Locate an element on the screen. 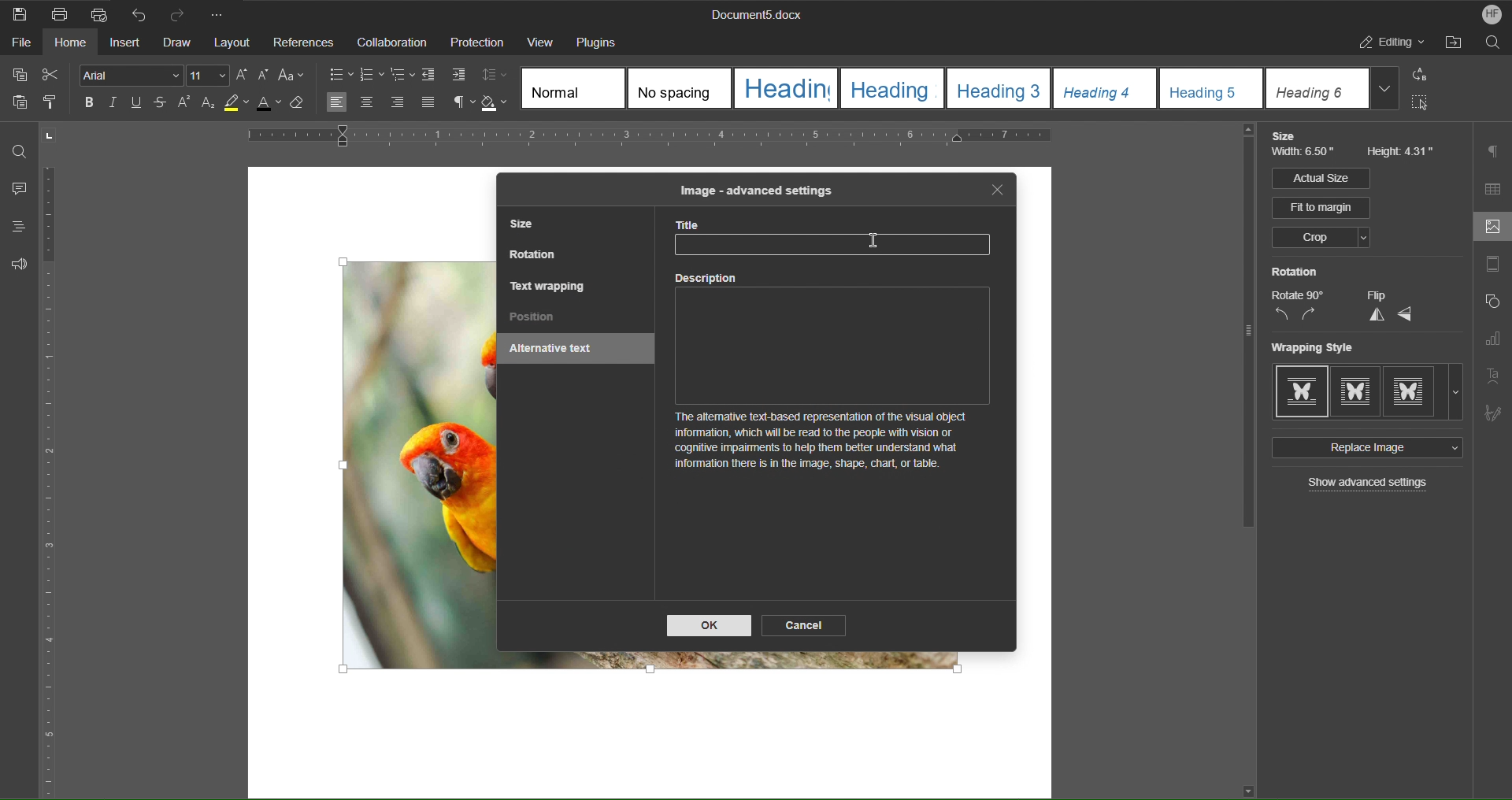 The height and width of the screenshot is (800, 1512). Alignment is located at coordinates (380, 103).